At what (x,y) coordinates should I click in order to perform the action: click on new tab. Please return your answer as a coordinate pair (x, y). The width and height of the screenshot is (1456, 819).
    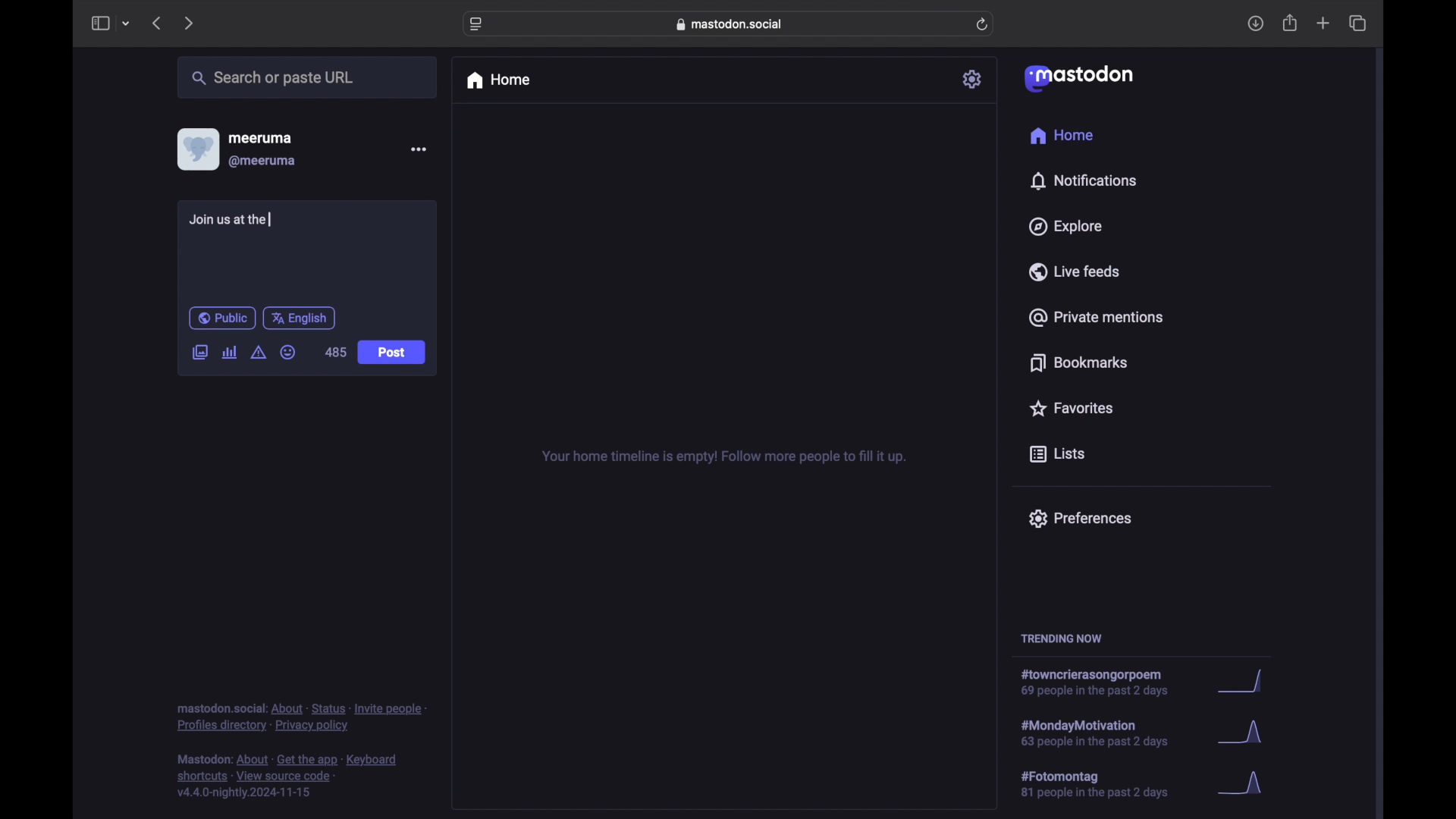
    Looking at the image, I should click on (1323, 23).